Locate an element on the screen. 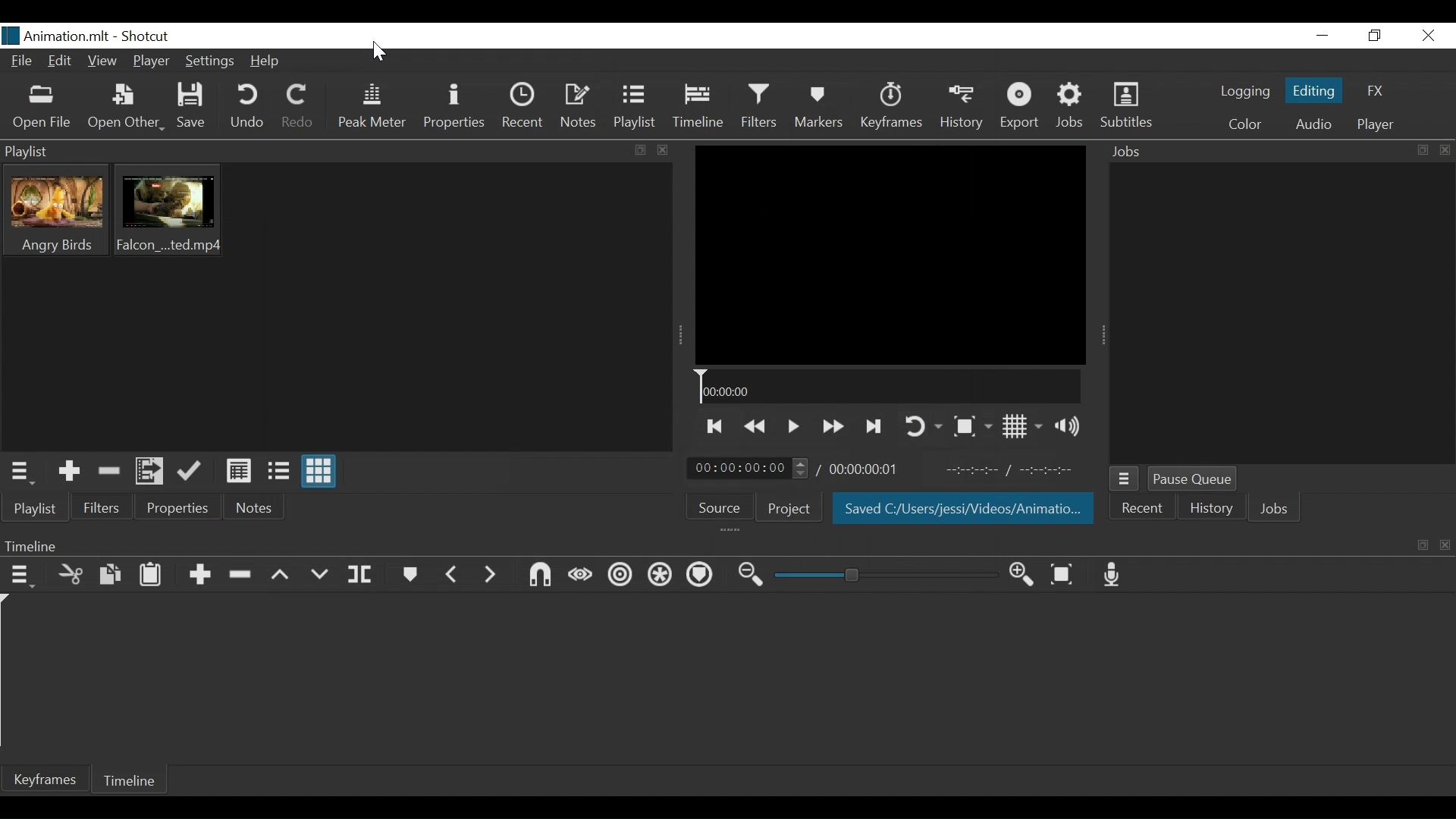 The image size is (1456, 819). Skip to the previous point is located at coordinates (711, 427).